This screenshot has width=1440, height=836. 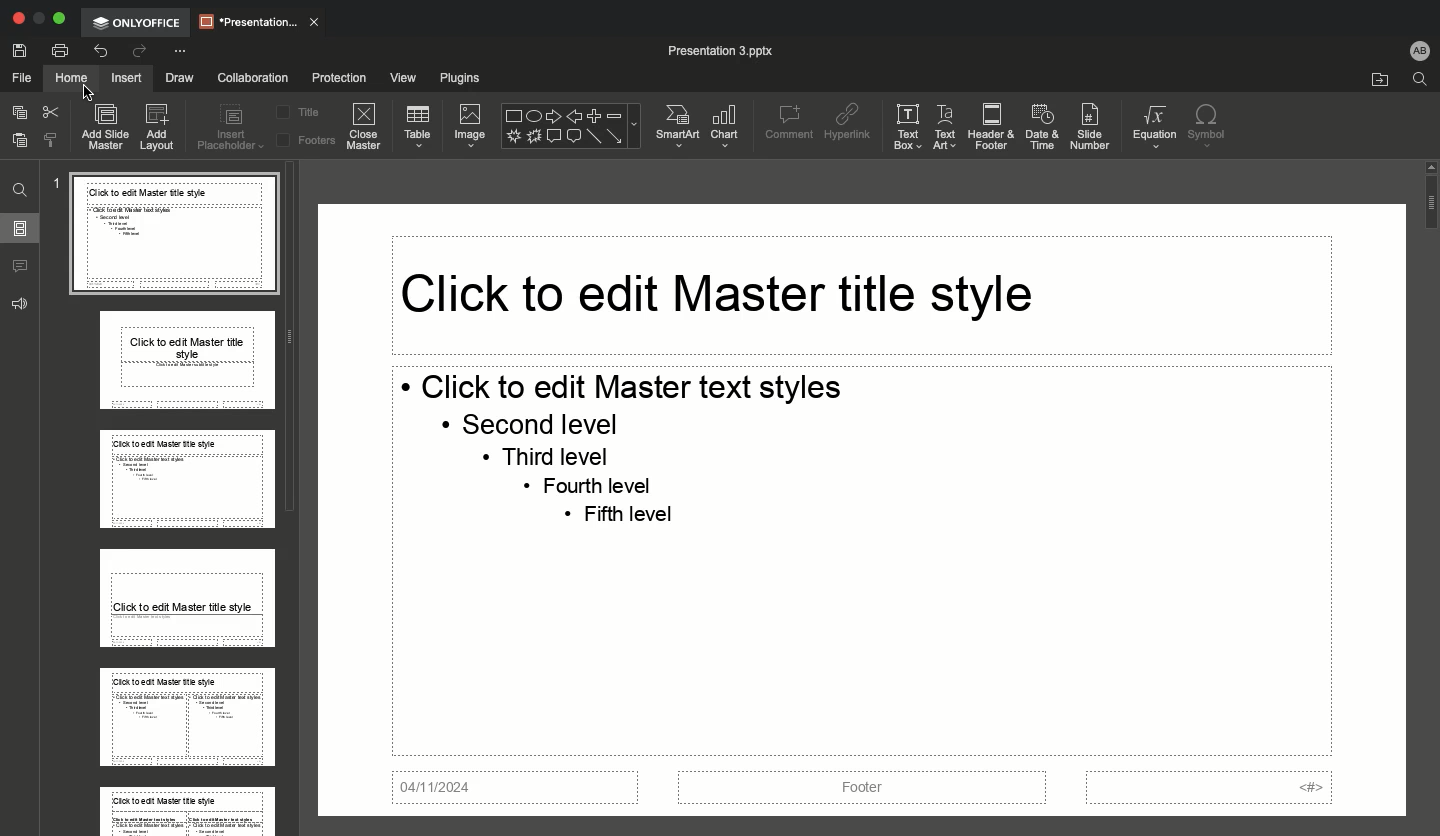 I want to click on Copy, so click(x=19, y=115).